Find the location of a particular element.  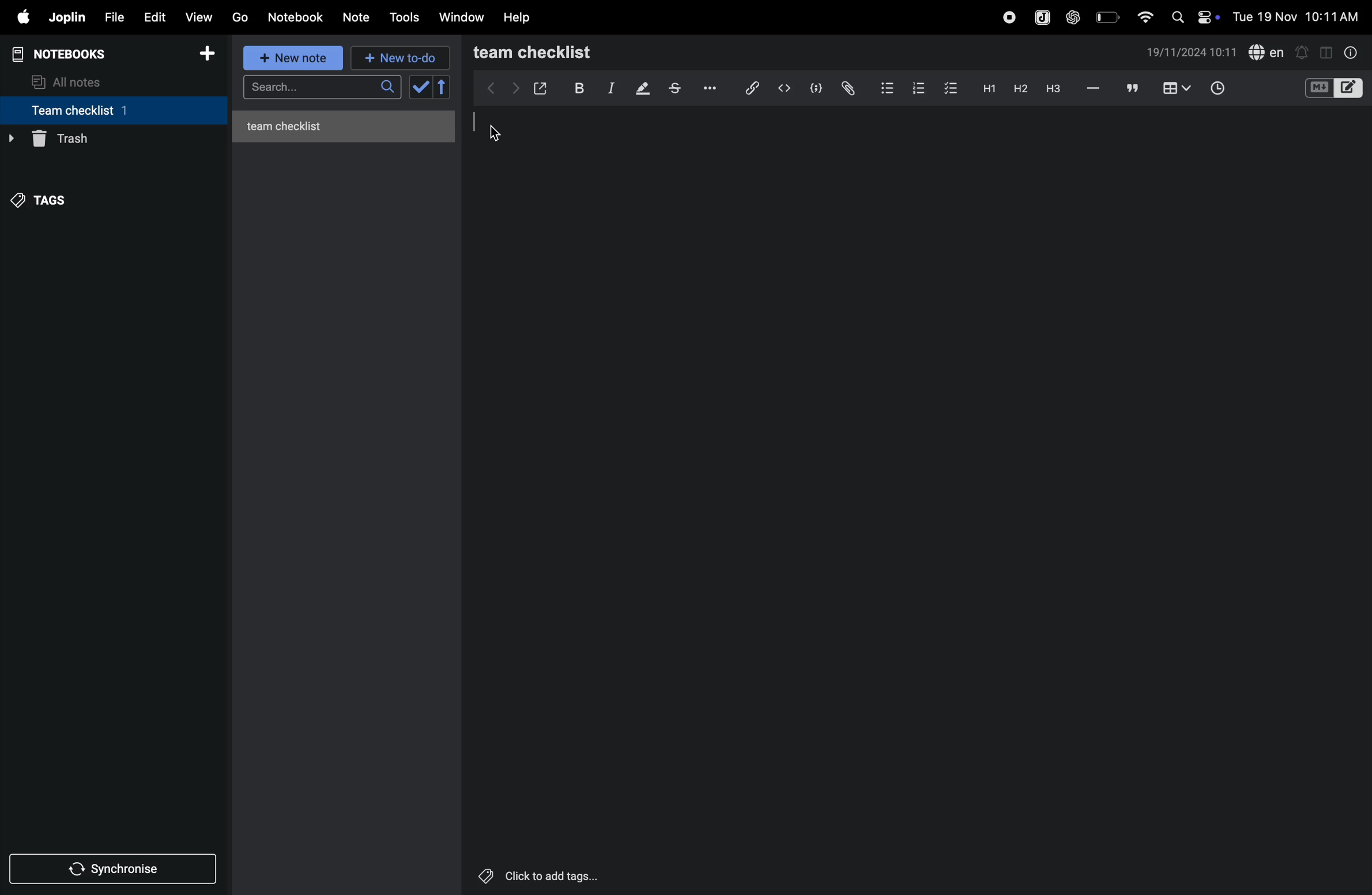

cursor is located at coordinates (497, 134).